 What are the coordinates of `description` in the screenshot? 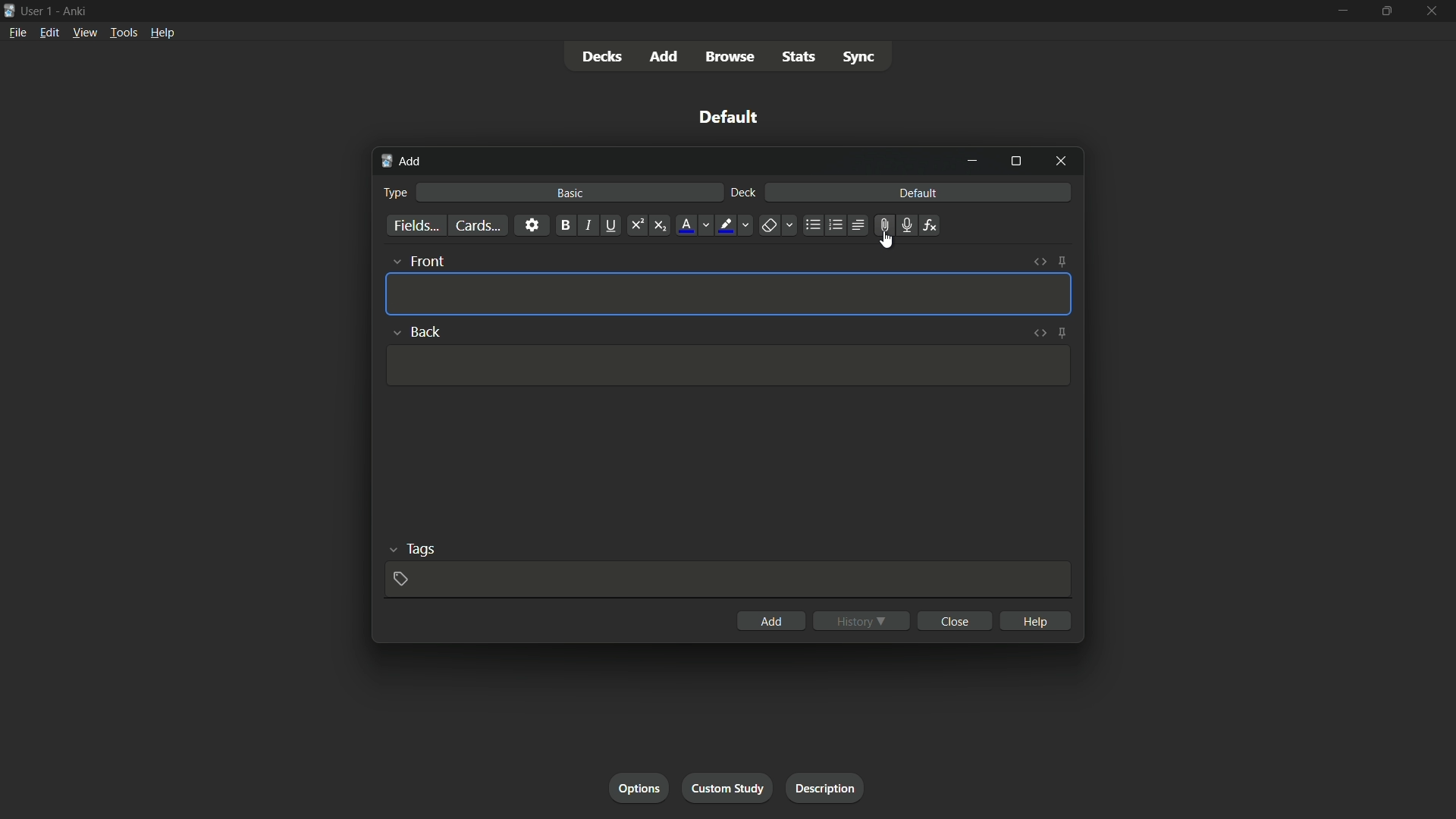 It's located at (822, 786).